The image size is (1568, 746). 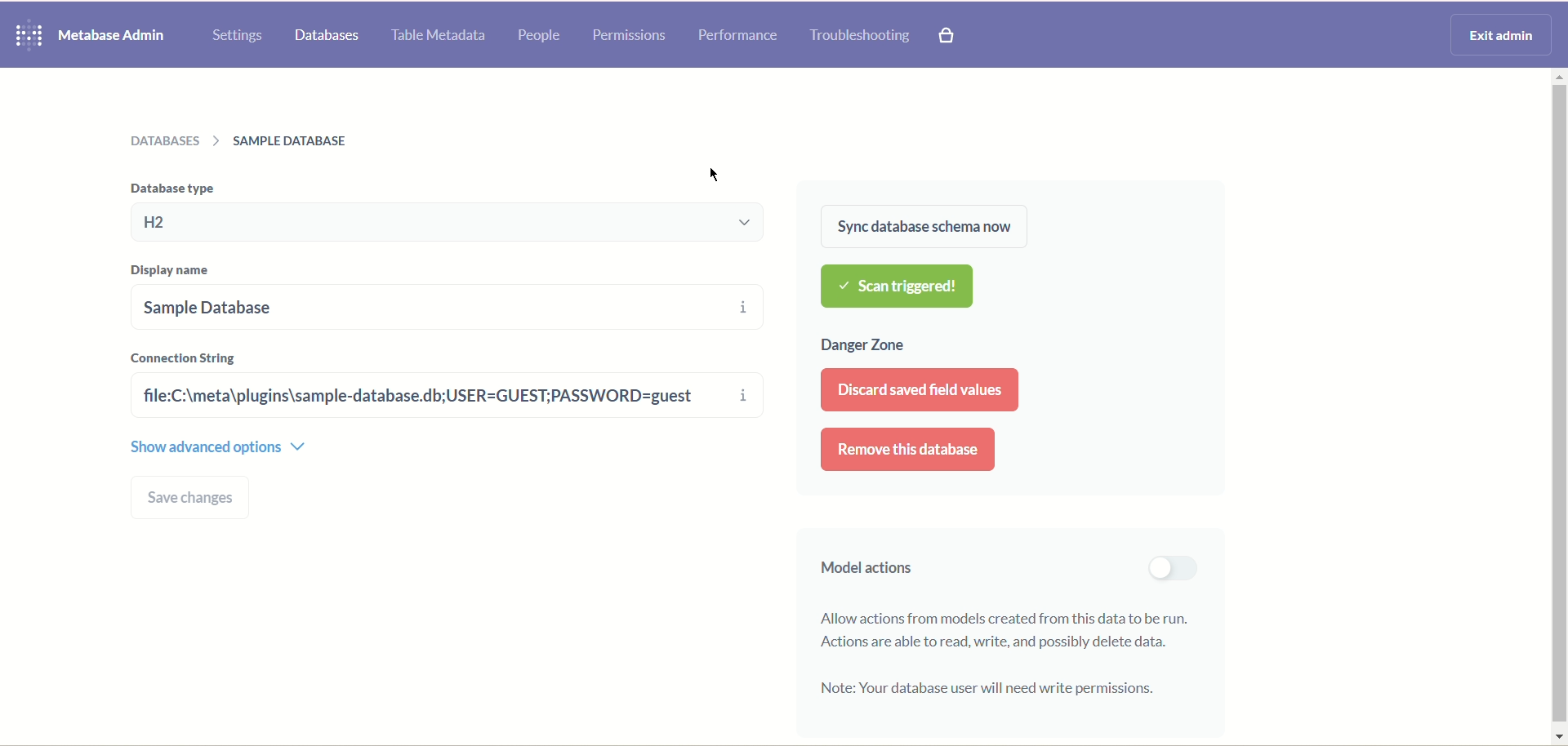 What do you see at coordinates (737, 36) in the screenshot?
I see `performance` at bounding box center [737, 36].